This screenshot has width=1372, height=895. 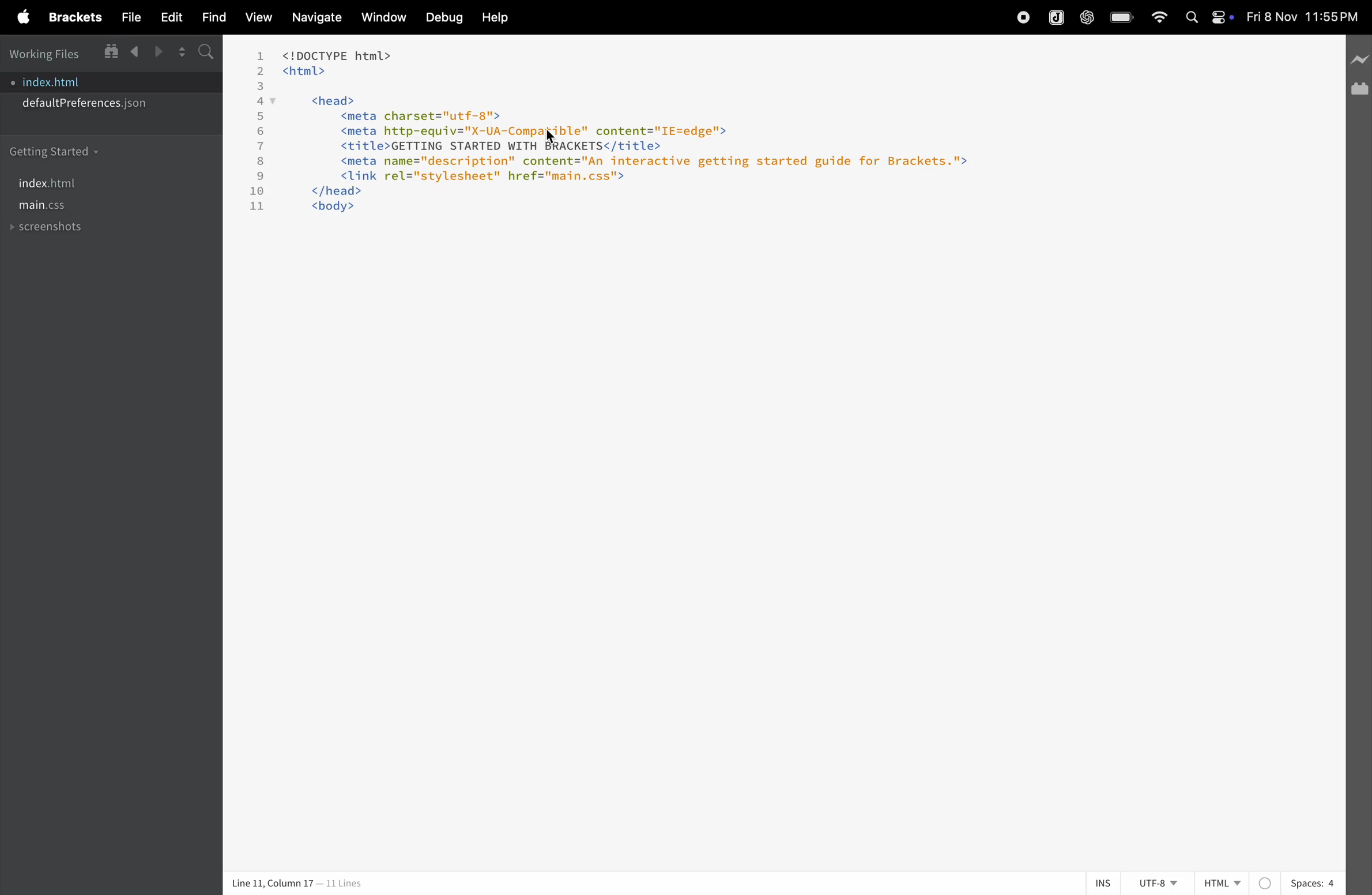 What do you see at coordinates (311, 18) in the screenshot?
I see `navigate` at bounding box center [311, 18].